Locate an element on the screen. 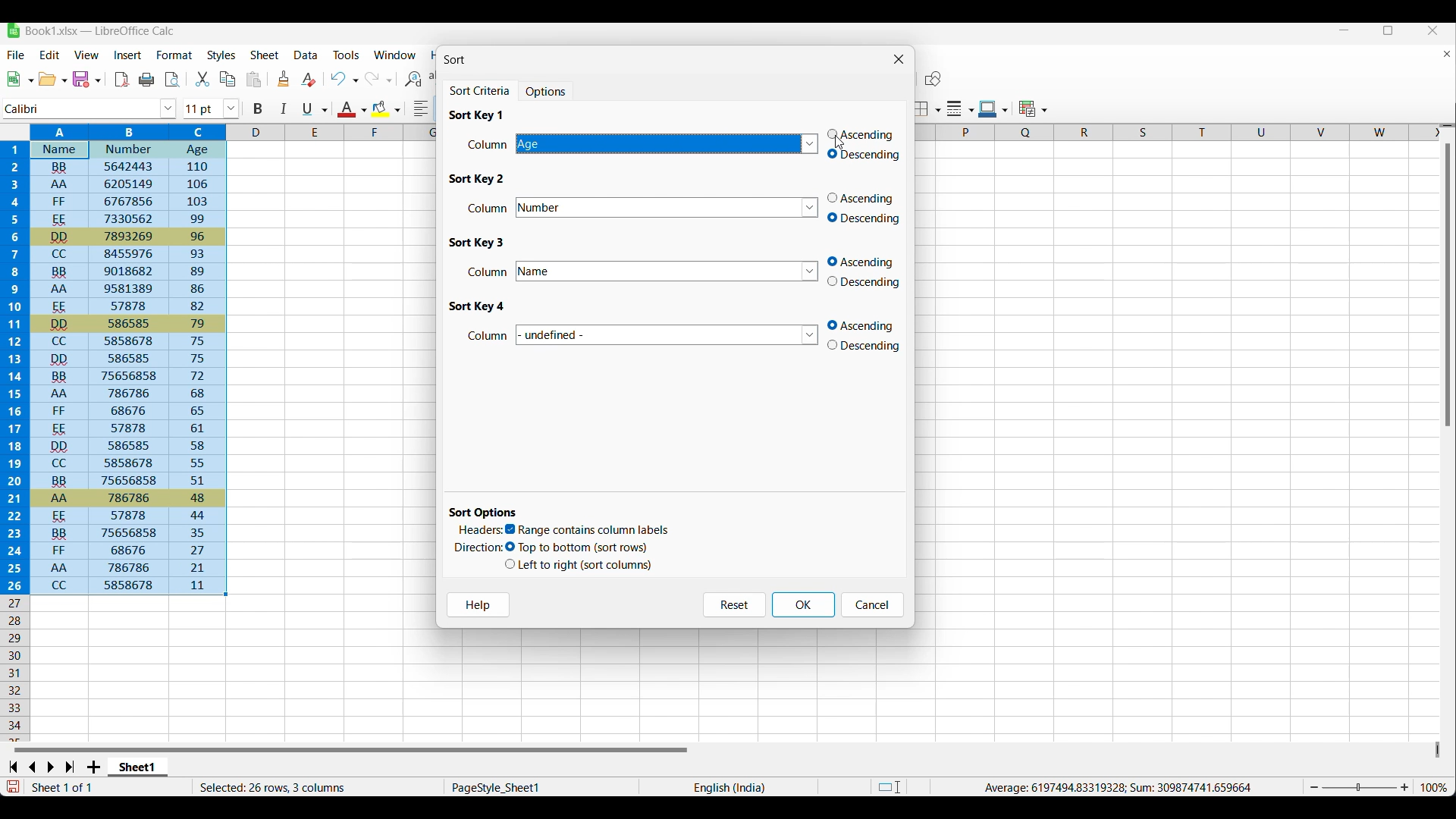 The width and height of the screenshot is (1456, 819). Add sheet is located at coordinates (93, 767).